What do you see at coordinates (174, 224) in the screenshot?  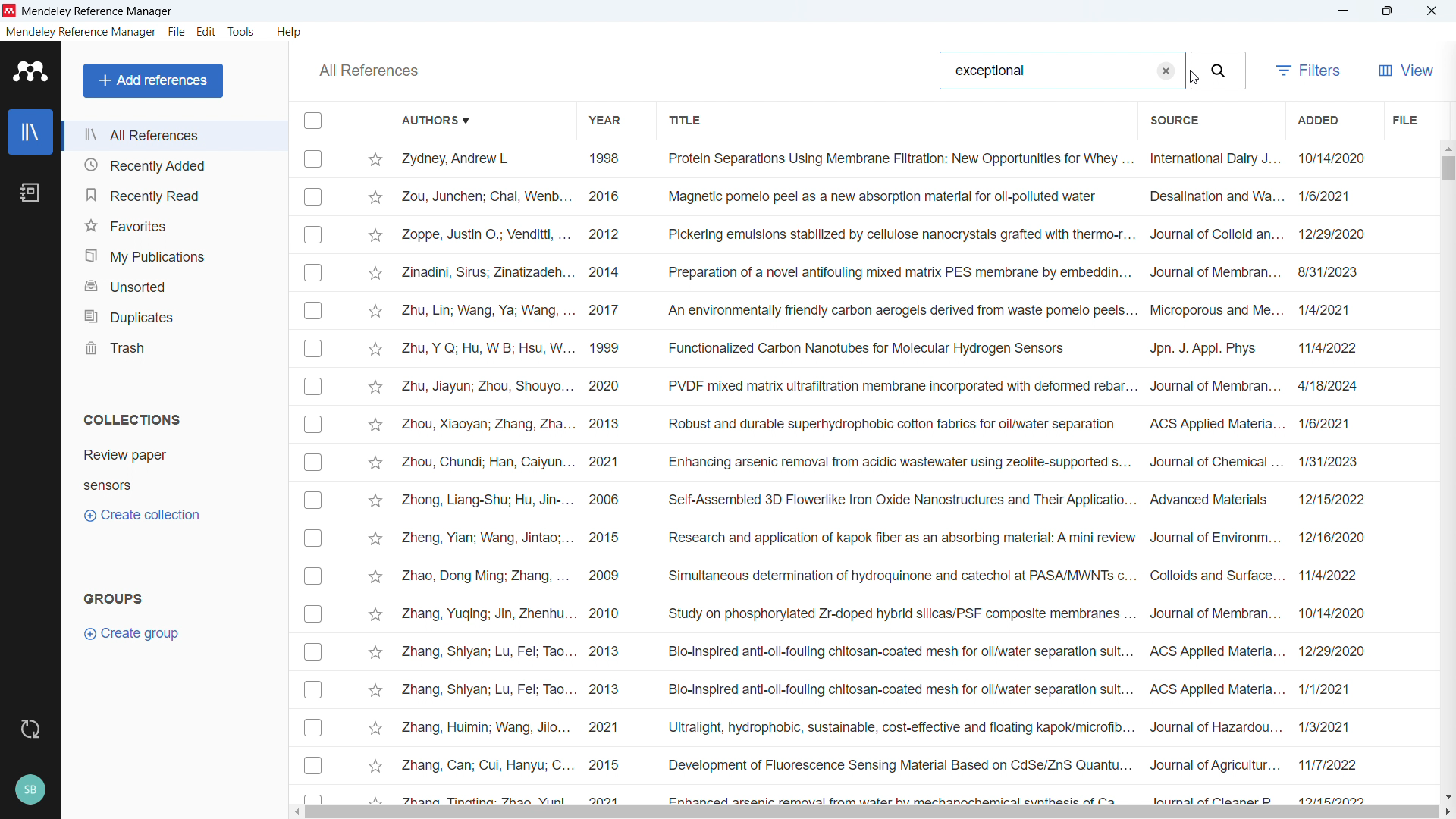 I see `Favourites ` at bounding box center [174, 224].